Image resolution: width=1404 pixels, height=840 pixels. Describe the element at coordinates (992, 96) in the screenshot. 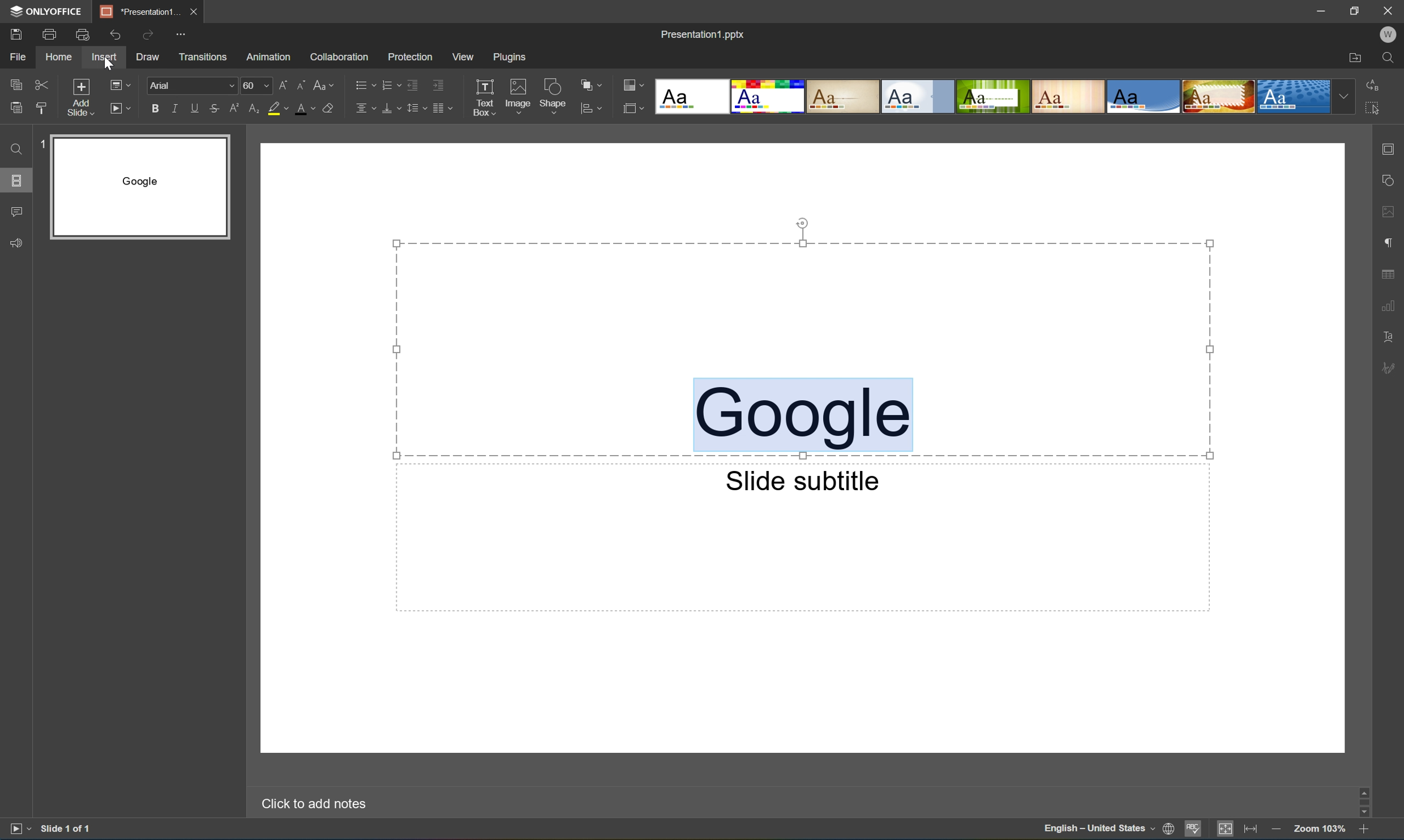

I see `Green Leaf` at that location.